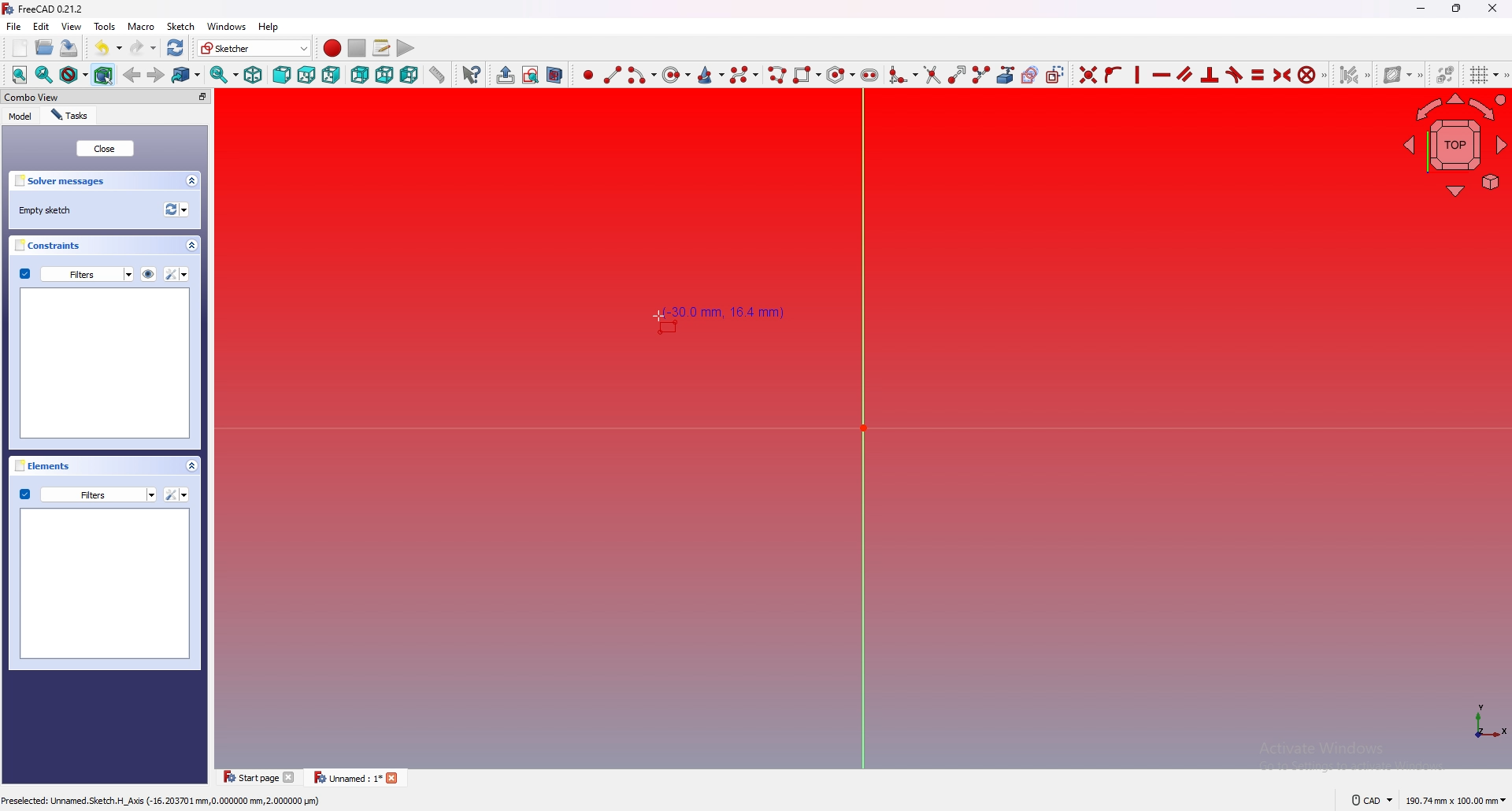  Describe the element at coordinates (506, 76) in the screenshot. I see `leave sketch` at that location.